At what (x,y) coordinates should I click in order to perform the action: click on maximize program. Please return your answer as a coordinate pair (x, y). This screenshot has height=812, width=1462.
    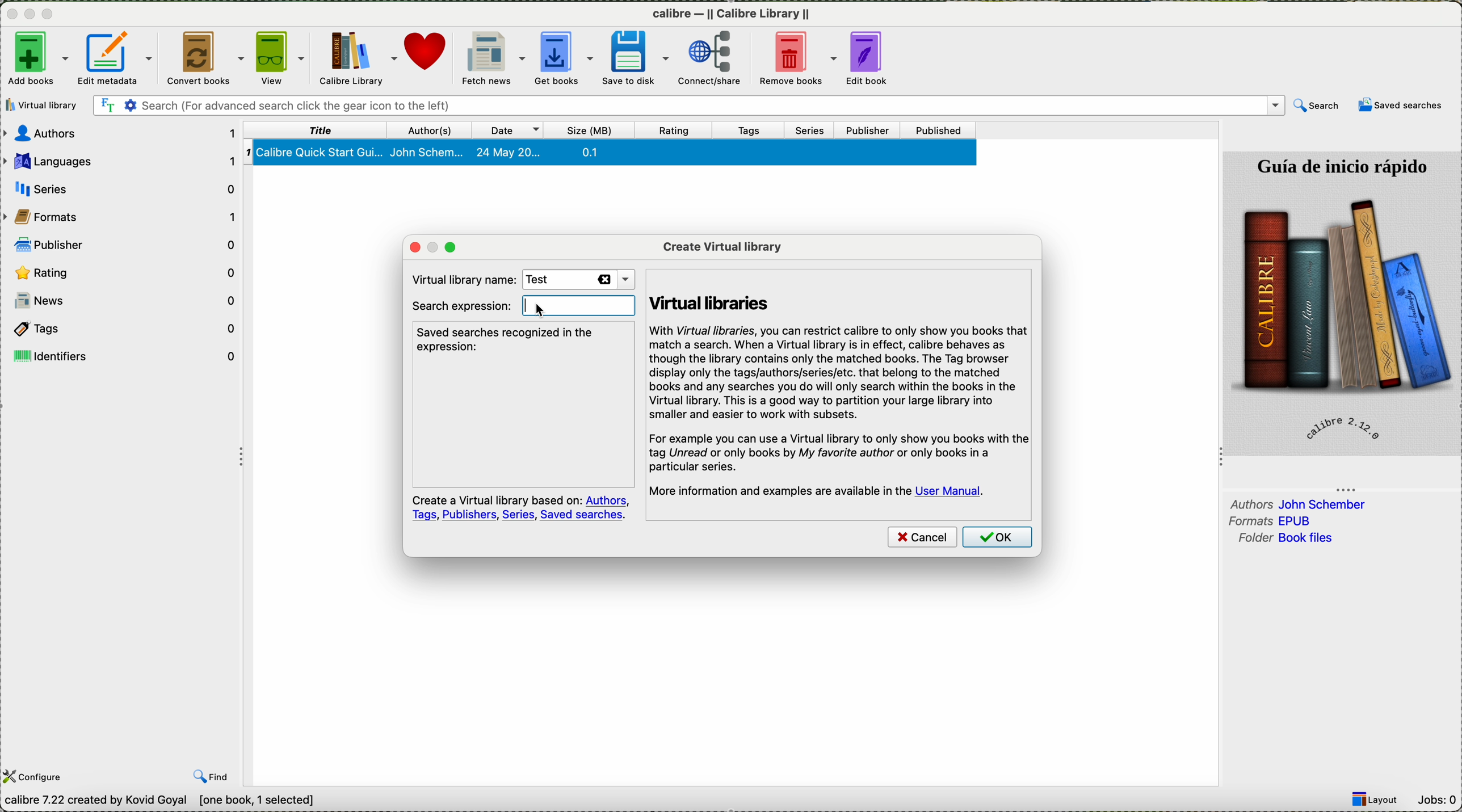
    Looking at the image, I should click on (52, 14).